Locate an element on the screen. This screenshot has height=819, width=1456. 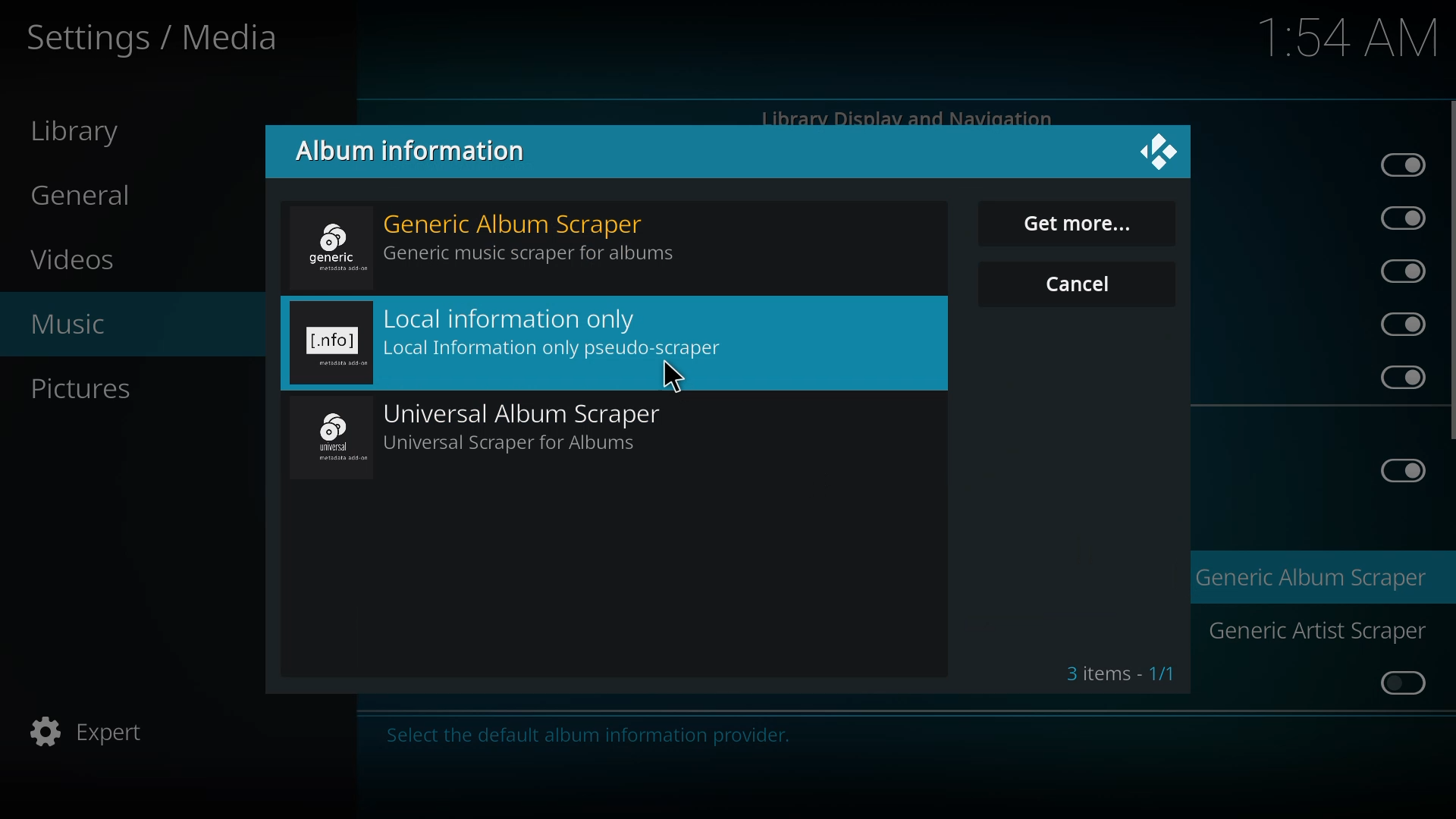
cancel is located at coordinates (1081, 284).